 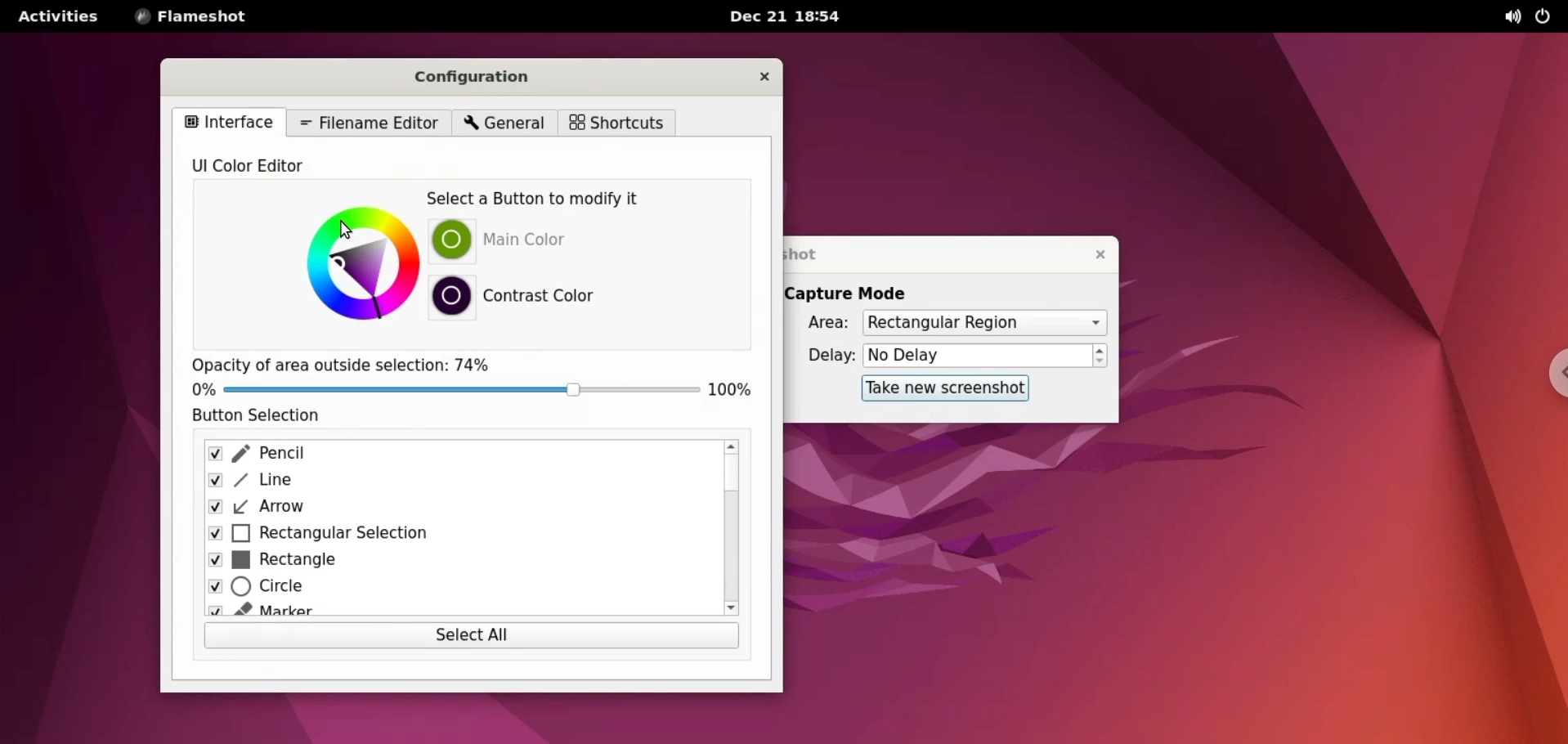 I want to click on activities , so click(x=56, y=16).